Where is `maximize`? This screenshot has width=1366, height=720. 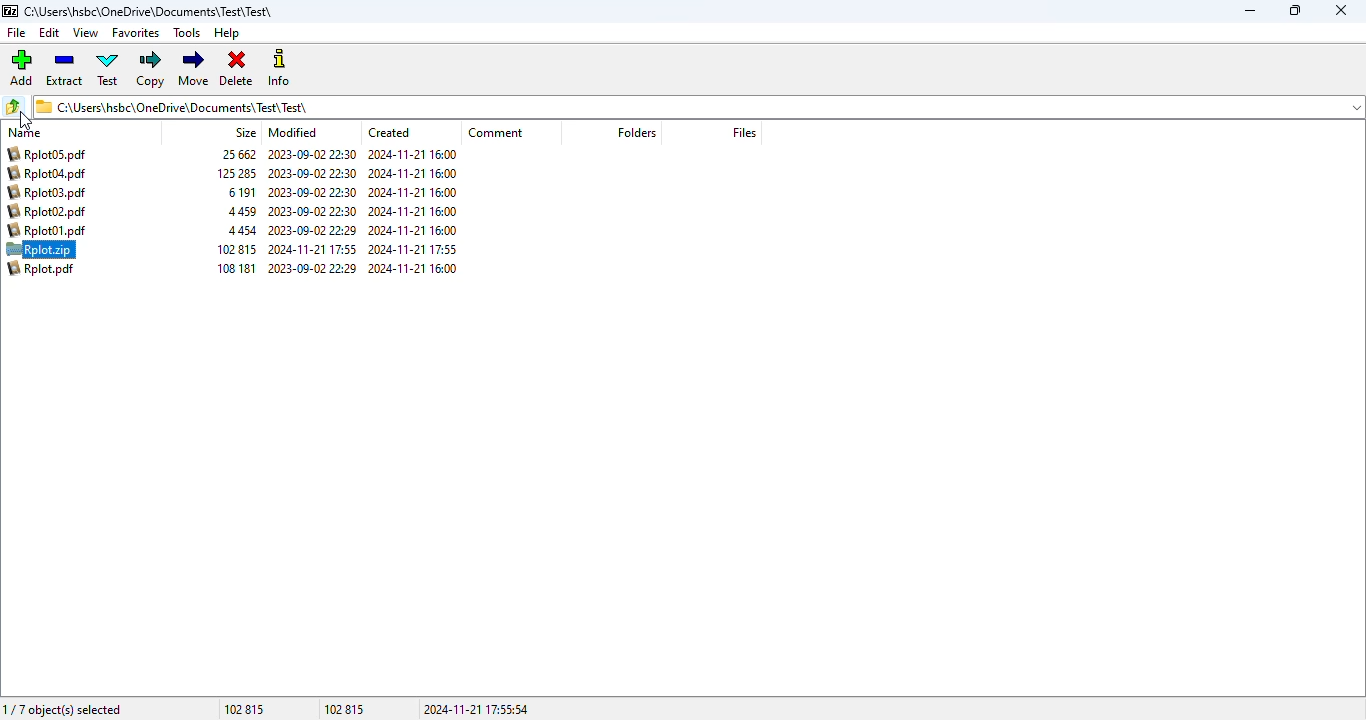
maximize is located at coordinates (1296, 10).